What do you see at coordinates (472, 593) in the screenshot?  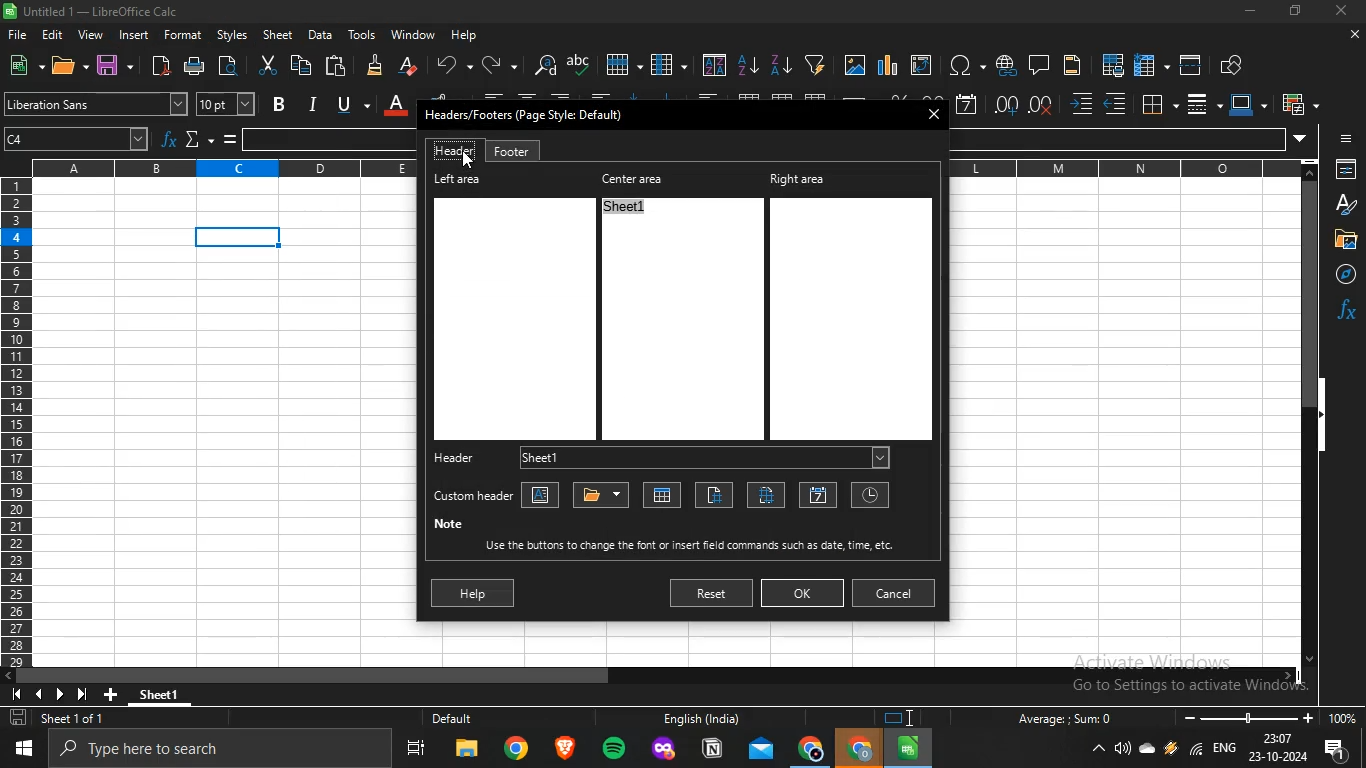 I see `help` at bounding box center [472, 593].